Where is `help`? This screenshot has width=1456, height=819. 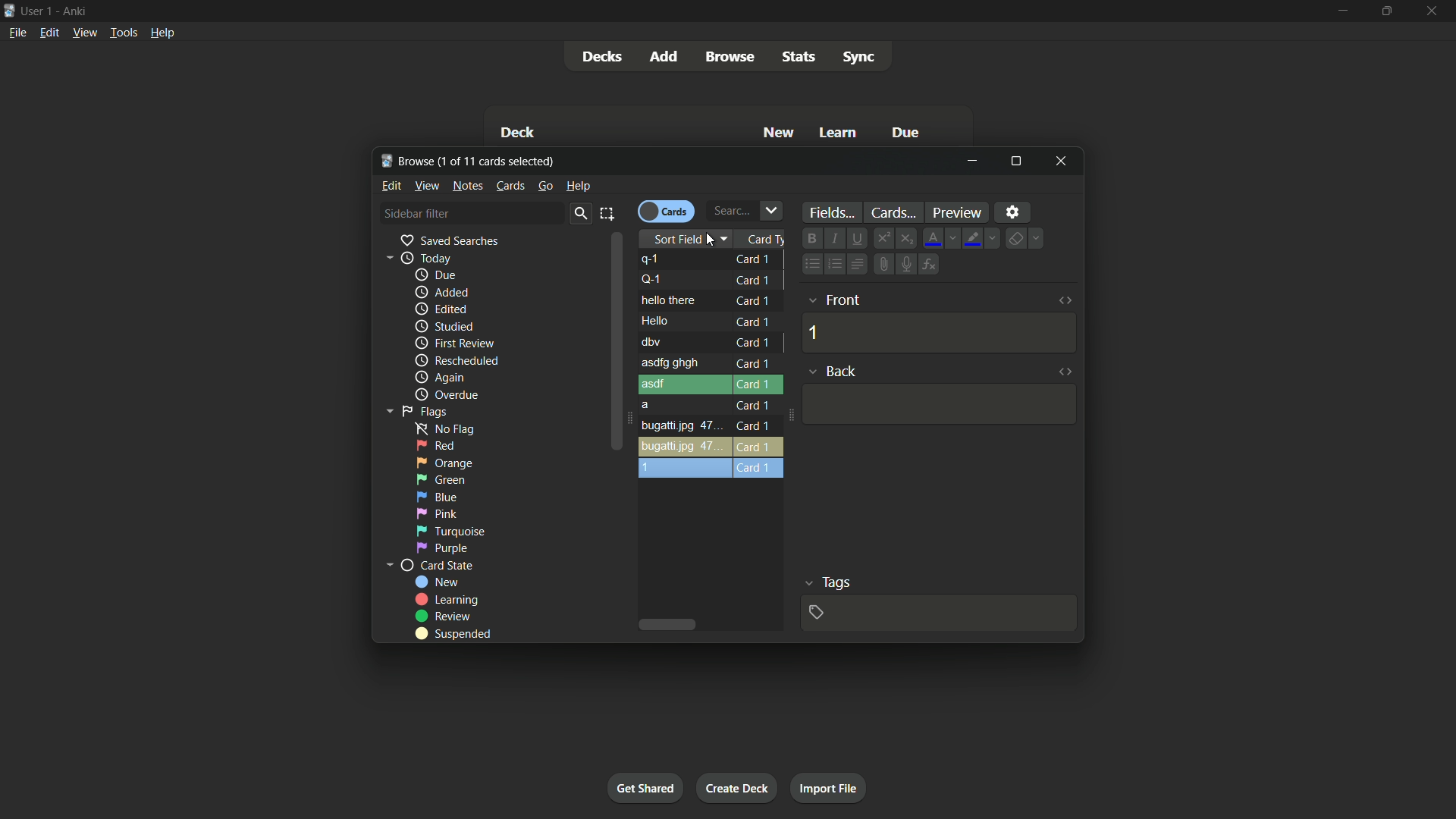
help is located at coordinates (576, 187).